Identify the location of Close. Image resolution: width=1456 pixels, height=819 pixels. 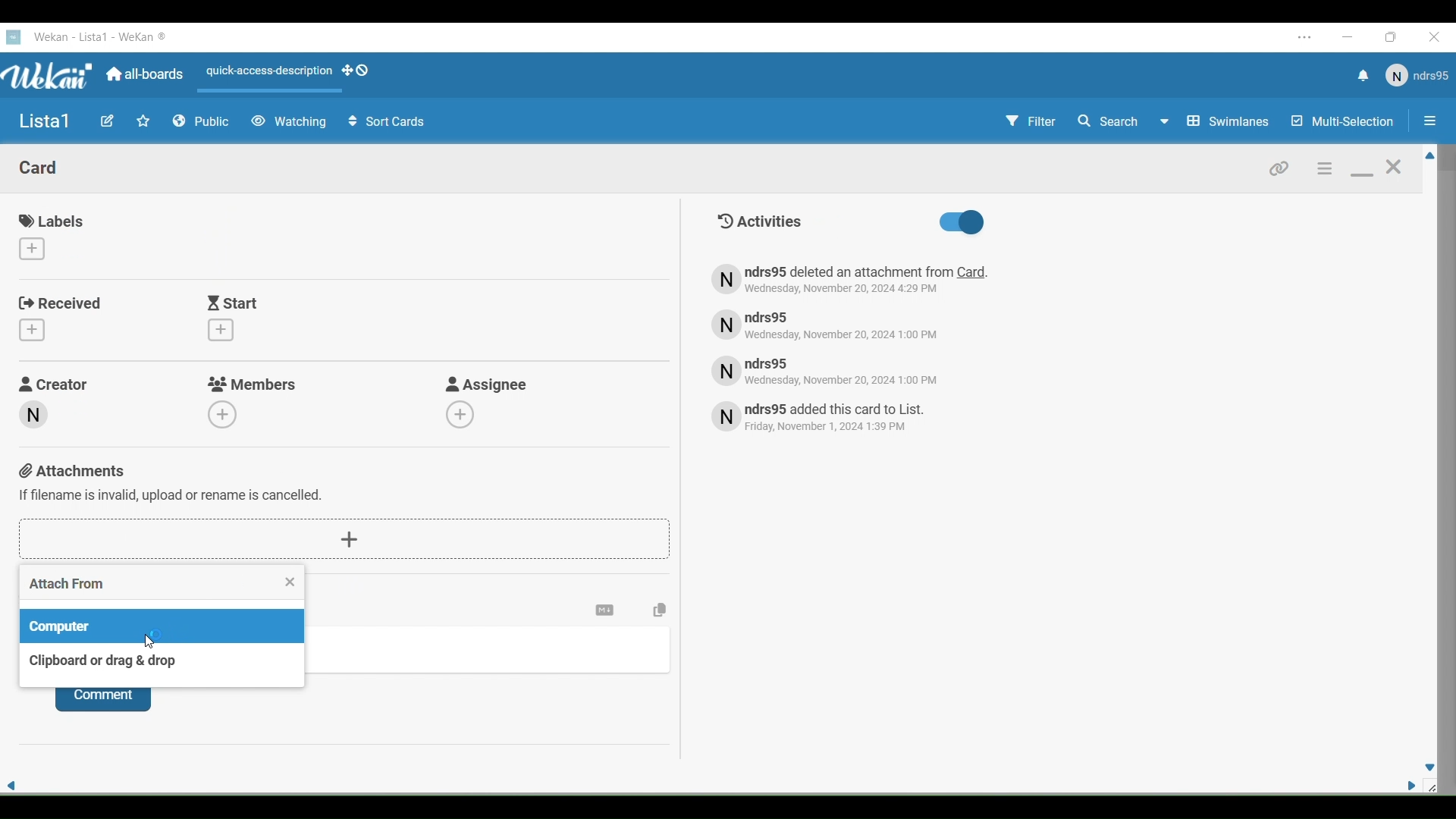
(290, 582).